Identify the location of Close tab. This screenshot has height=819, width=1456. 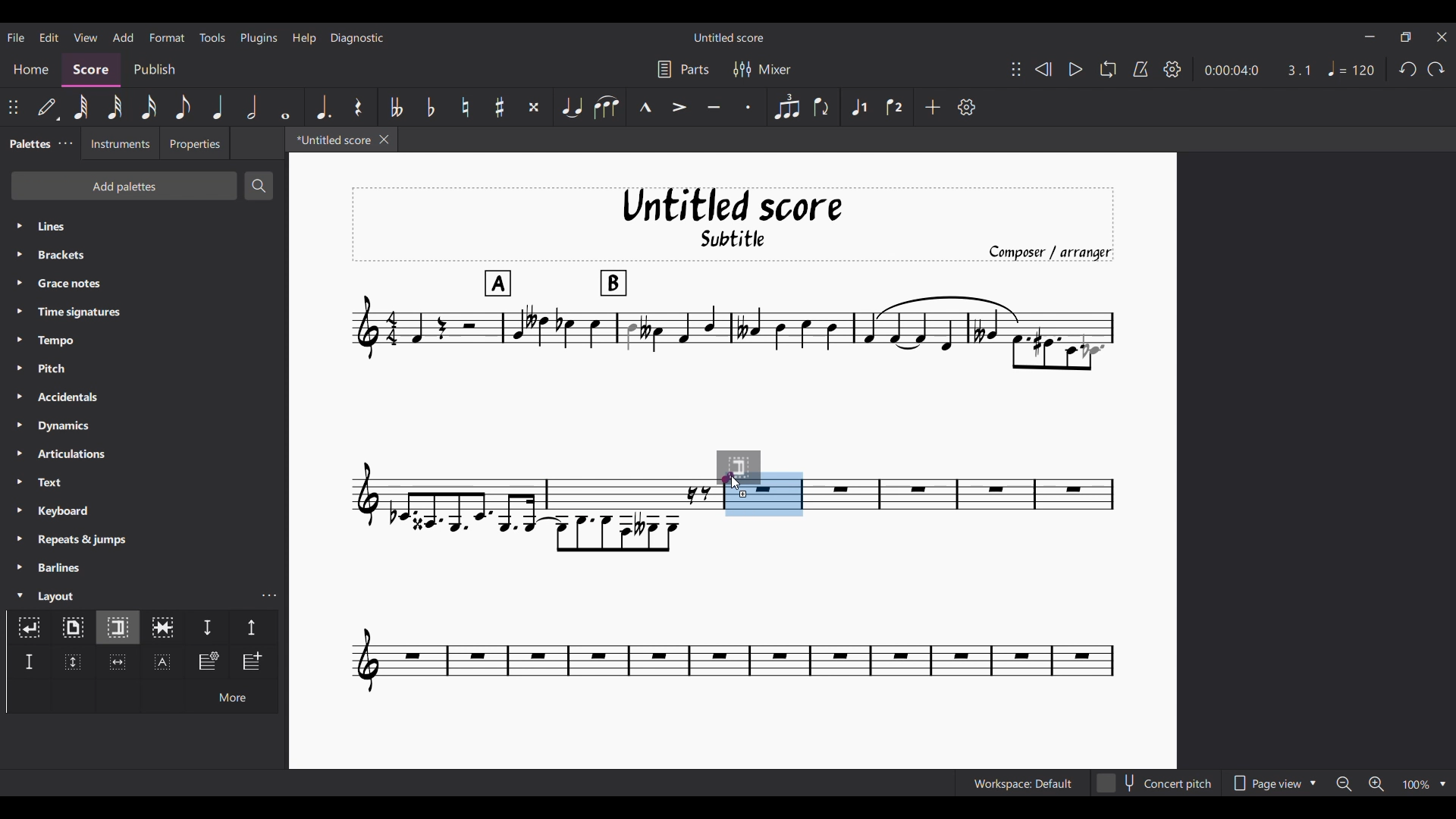
(384, 140).